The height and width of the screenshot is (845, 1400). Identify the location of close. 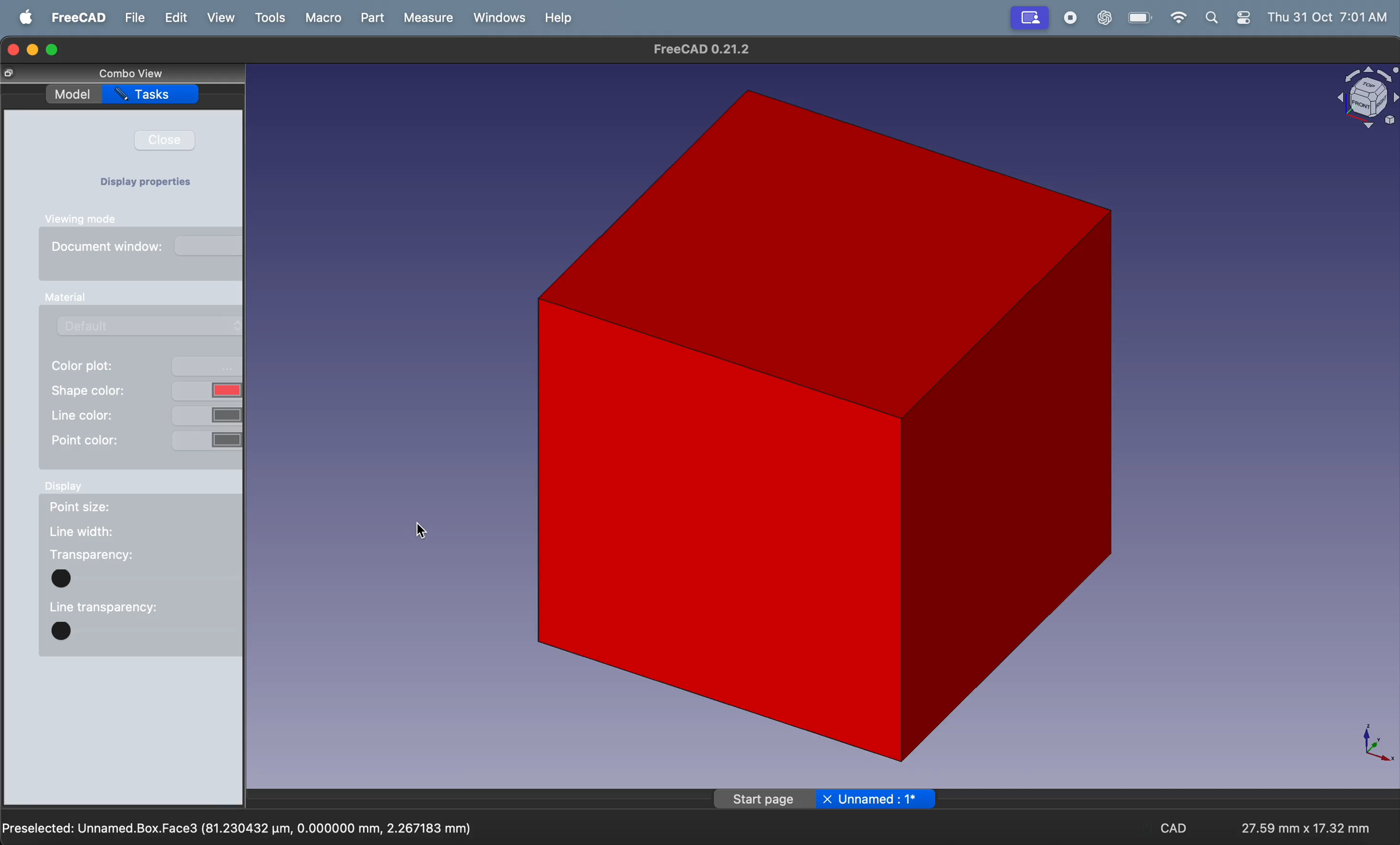
(171, 140).